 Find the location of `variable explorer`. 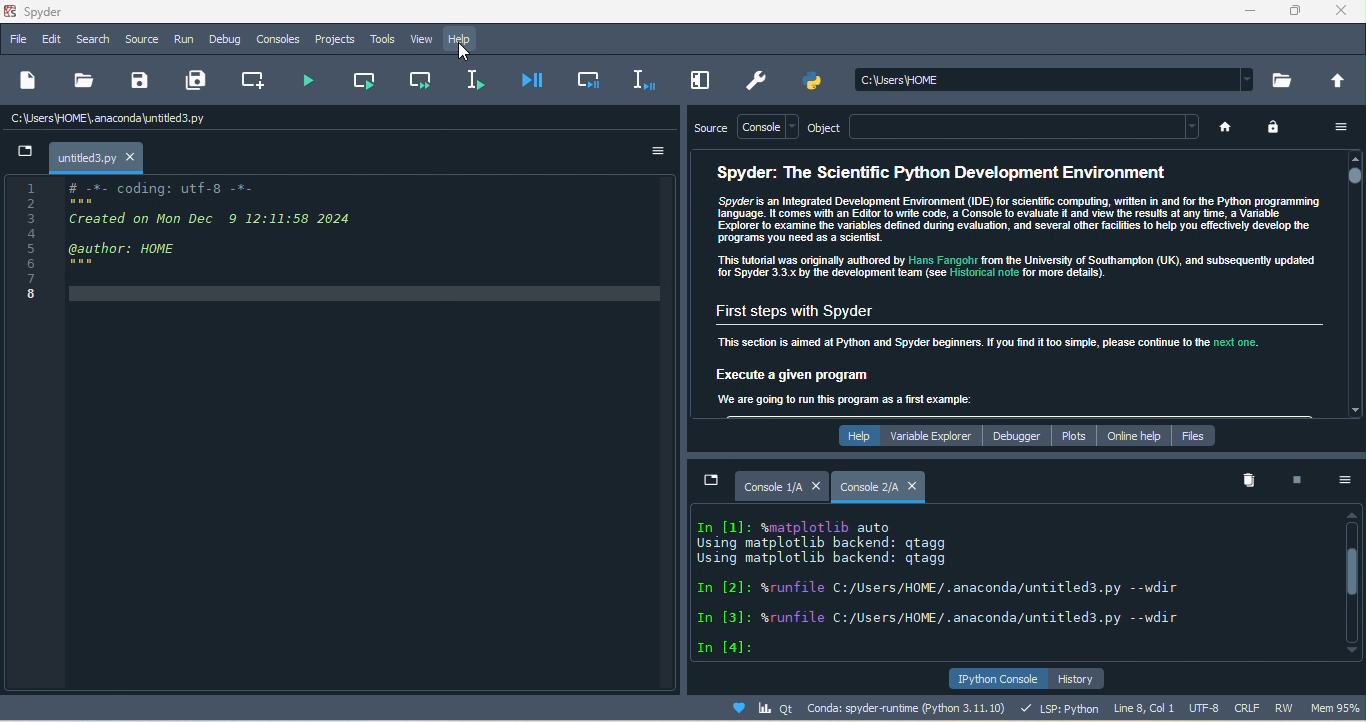

variable explorer is located at coordinates (934, 435).